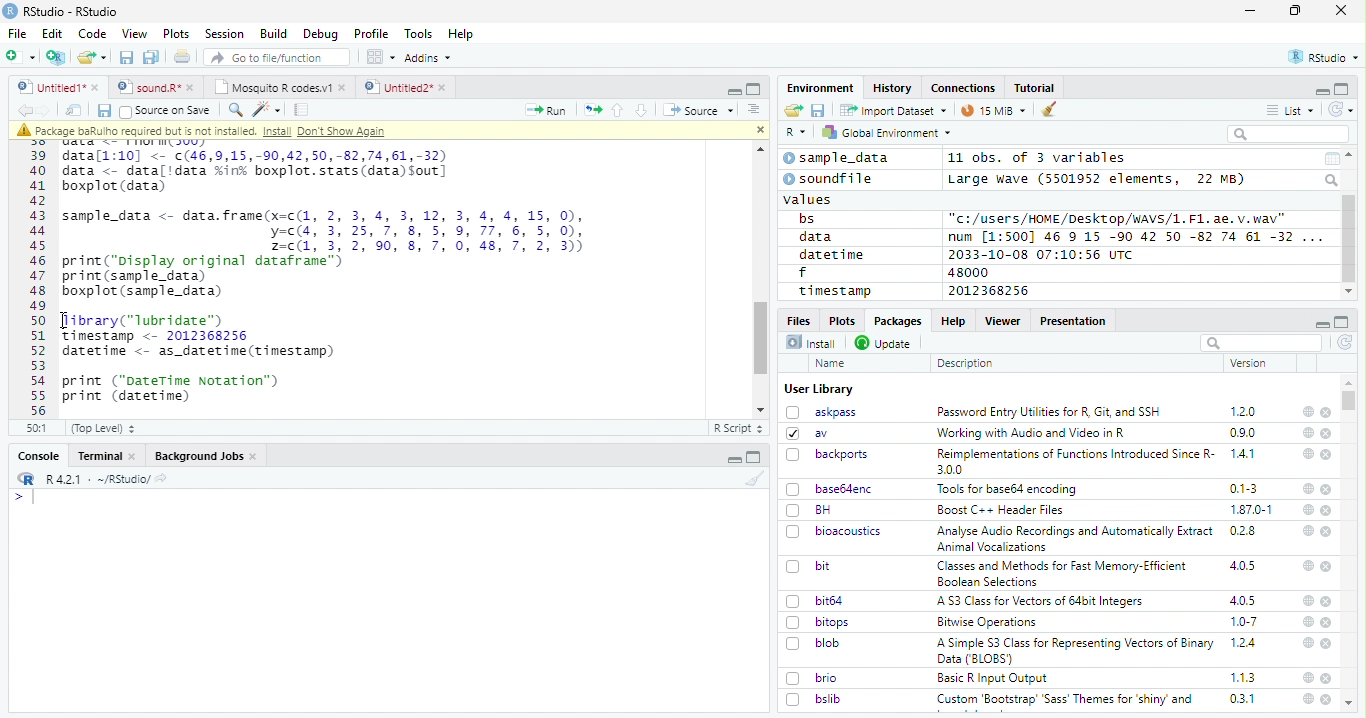 This screenshot has width=1366, height=718. I want to click on Source, so click(698, 112).